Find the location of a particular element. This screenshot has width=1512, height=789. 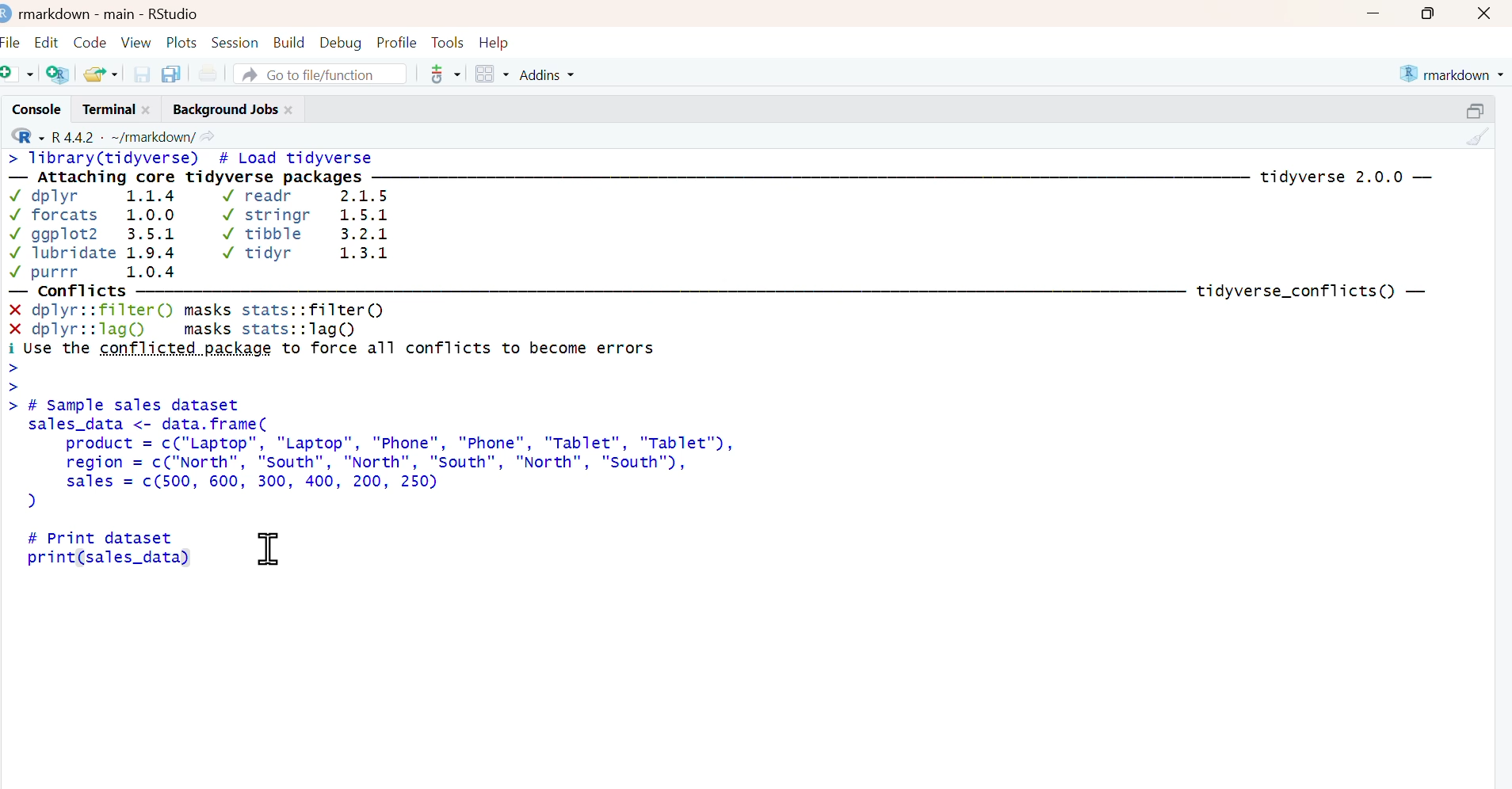

R 4.4.2 is located at coordinates (74, 135).